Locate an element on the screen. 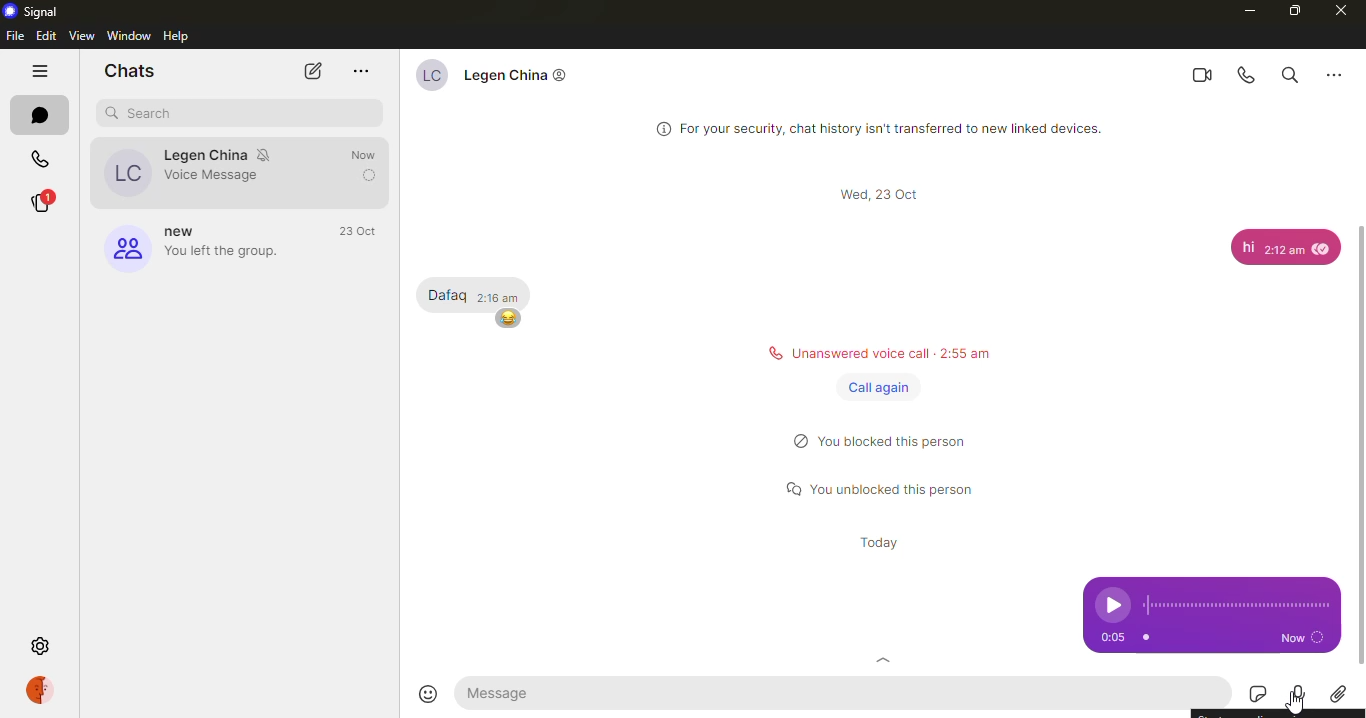  stop is located at coordinates (1146, 637).